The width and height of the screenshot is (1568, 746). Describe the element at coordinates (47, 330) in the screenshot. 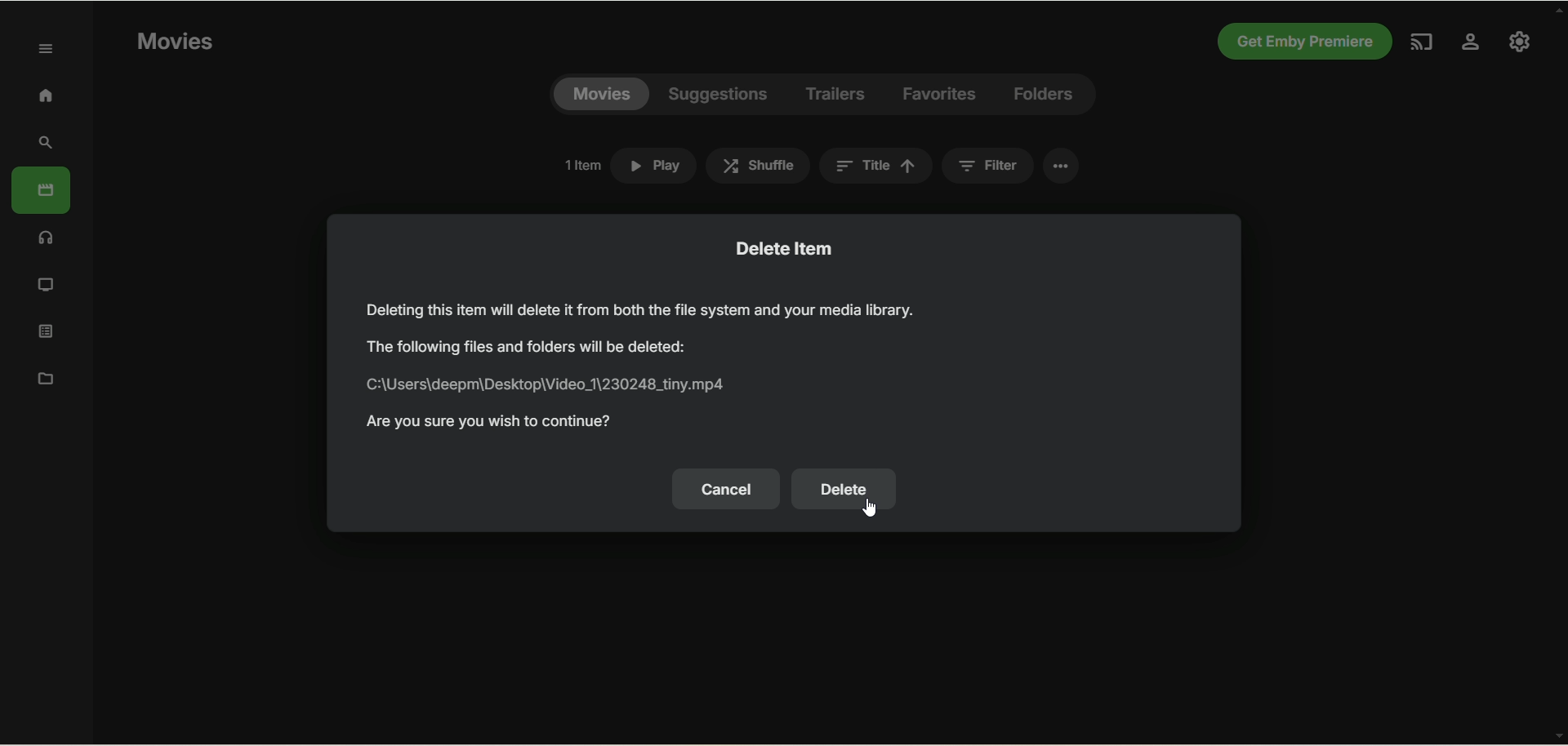

I see `playlist` at that location.